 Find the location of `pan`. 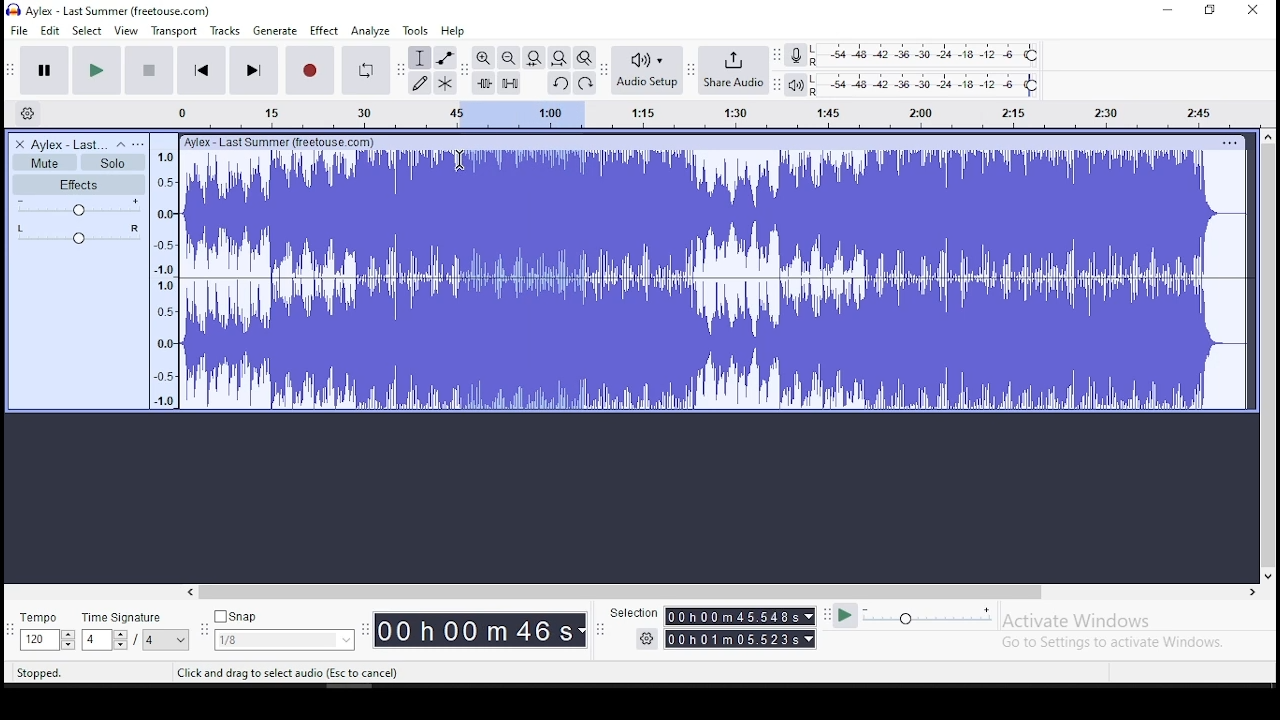

pan is located at coordinates (77, 234).